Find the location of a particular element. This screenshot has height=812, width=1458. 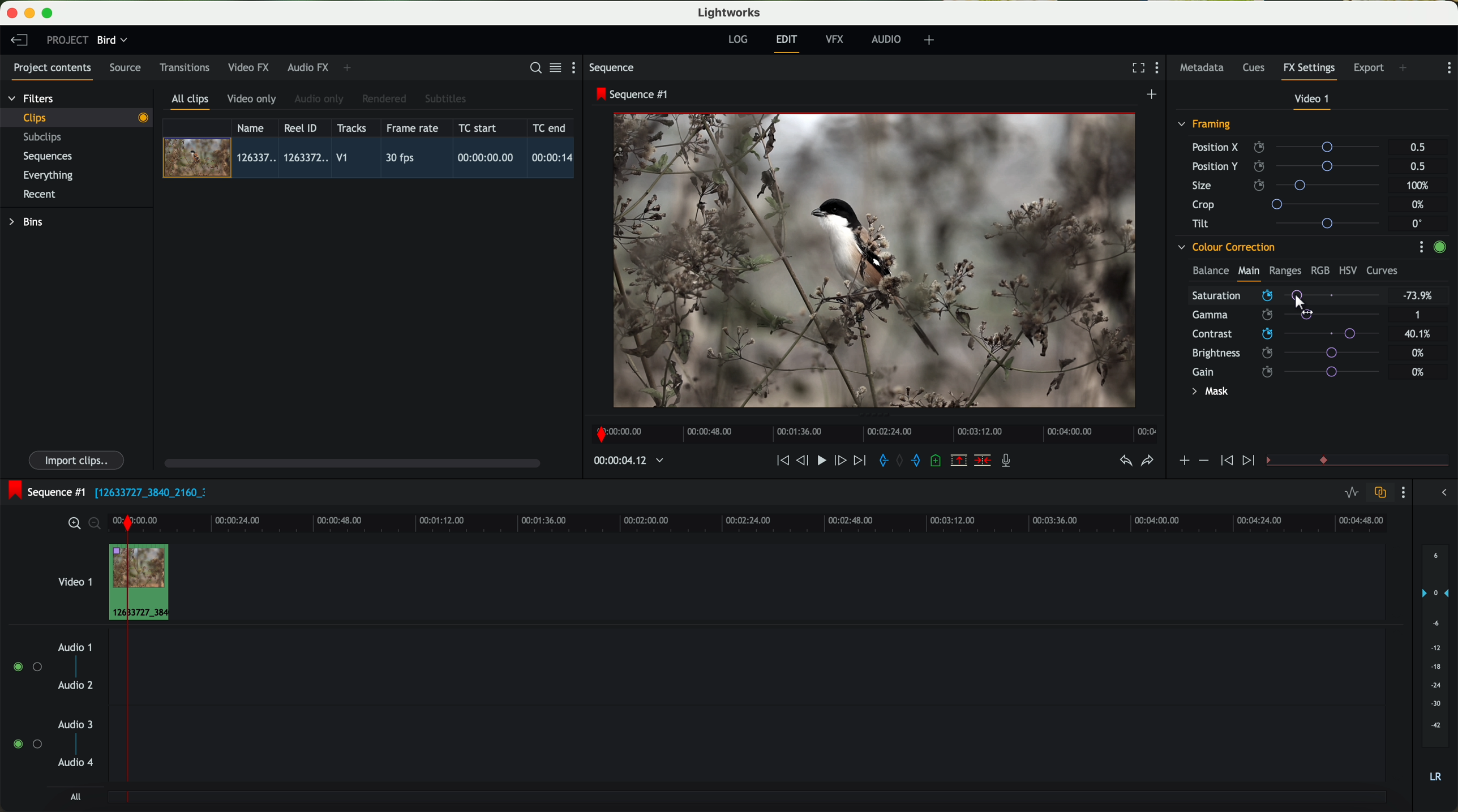

toggle auto track sync is located at coordinates (1378, 493).